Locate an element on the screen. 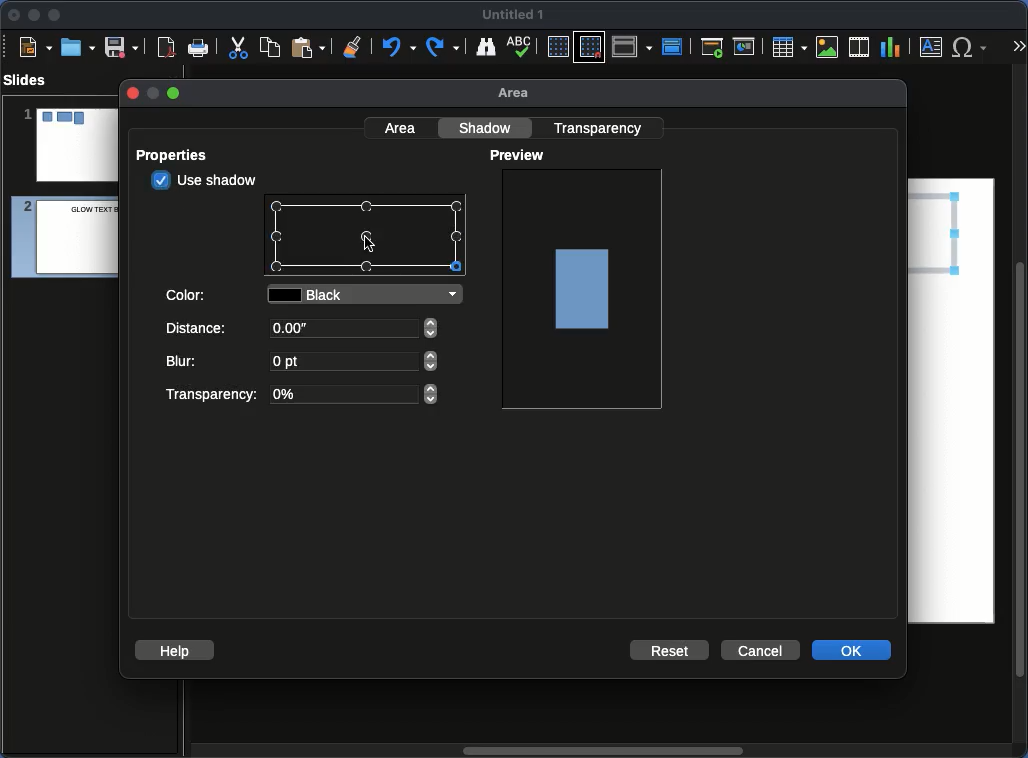 This screenshot has height=758, width=1028. Save is located at coordinates (123, 46).